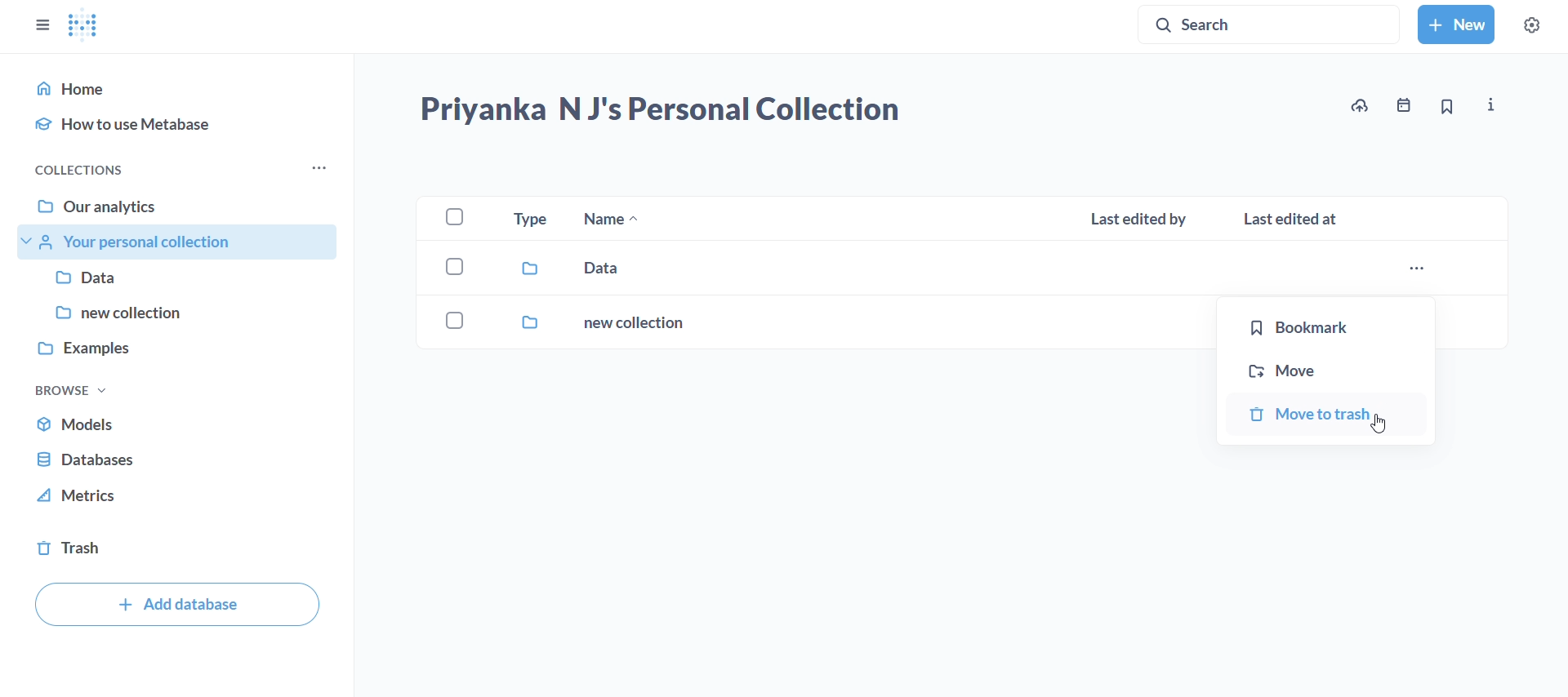 The width and height of the screenshot is (1568, 697). I want to click on upload data to priyanka N J's personal collection, so click(1358, 105).